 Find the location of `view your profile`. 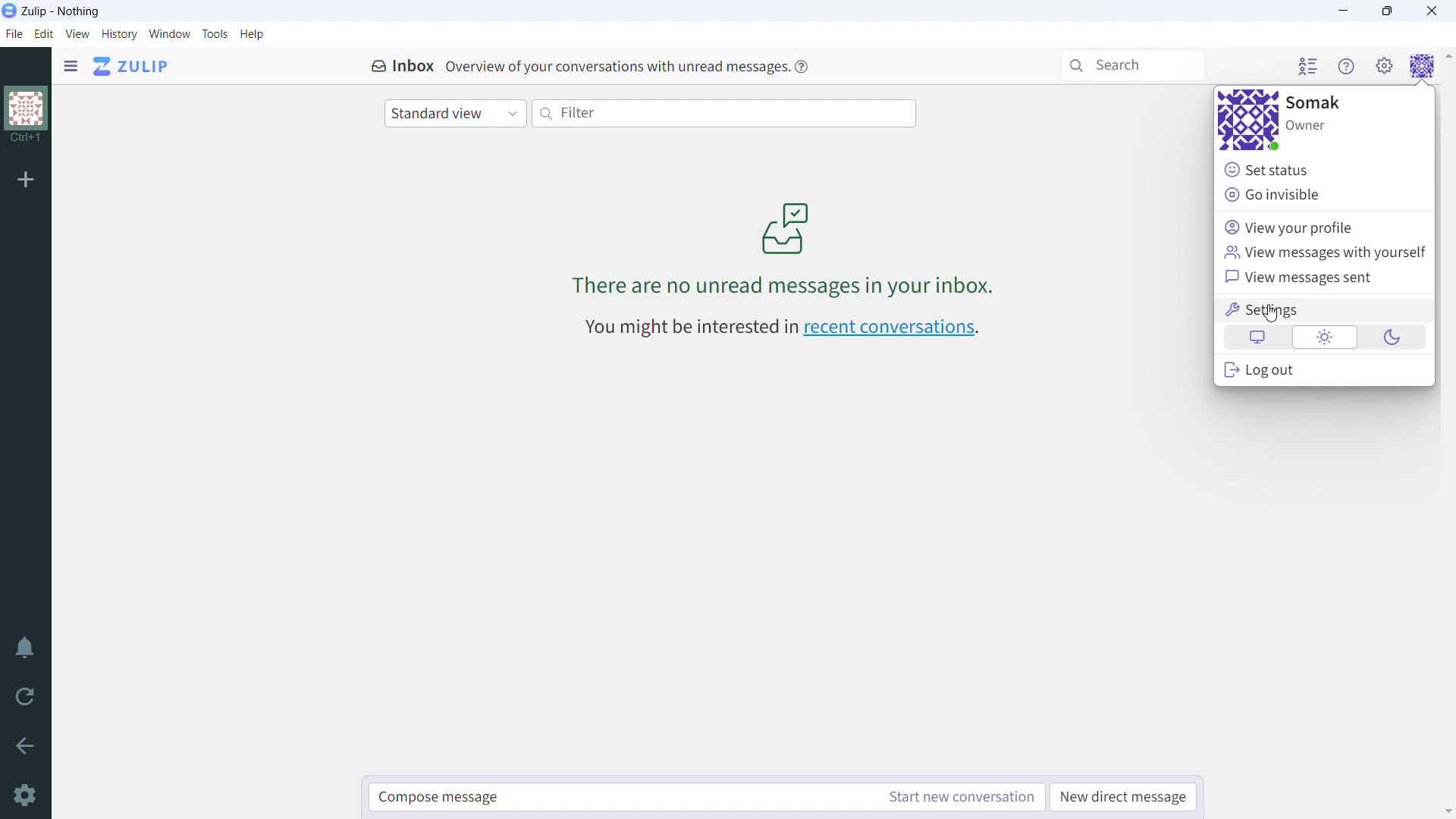

view your profile is located at coordinates (1323, 227).